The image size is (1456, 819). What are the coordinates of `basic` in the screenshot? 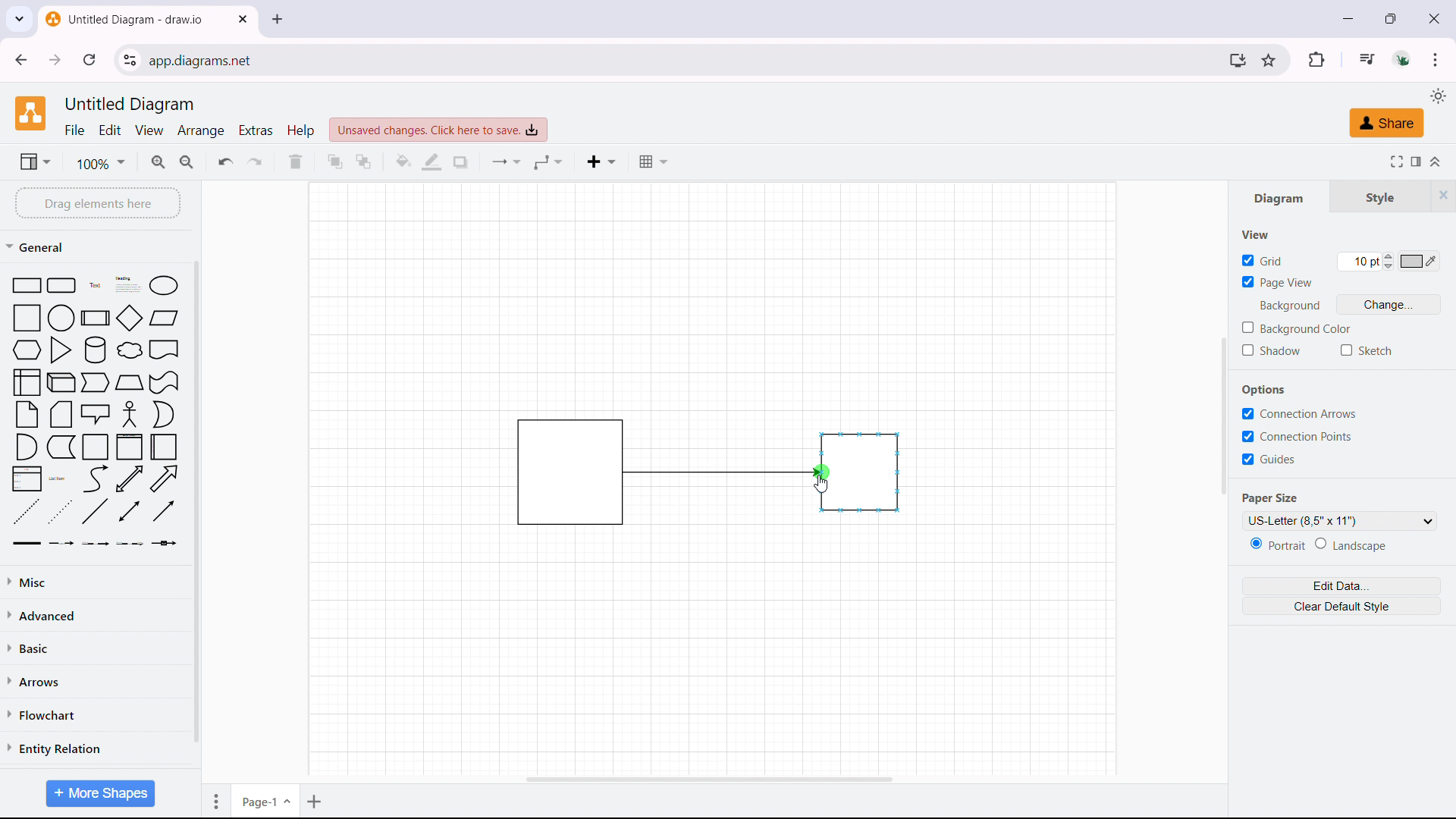 It's located at (98, 645).